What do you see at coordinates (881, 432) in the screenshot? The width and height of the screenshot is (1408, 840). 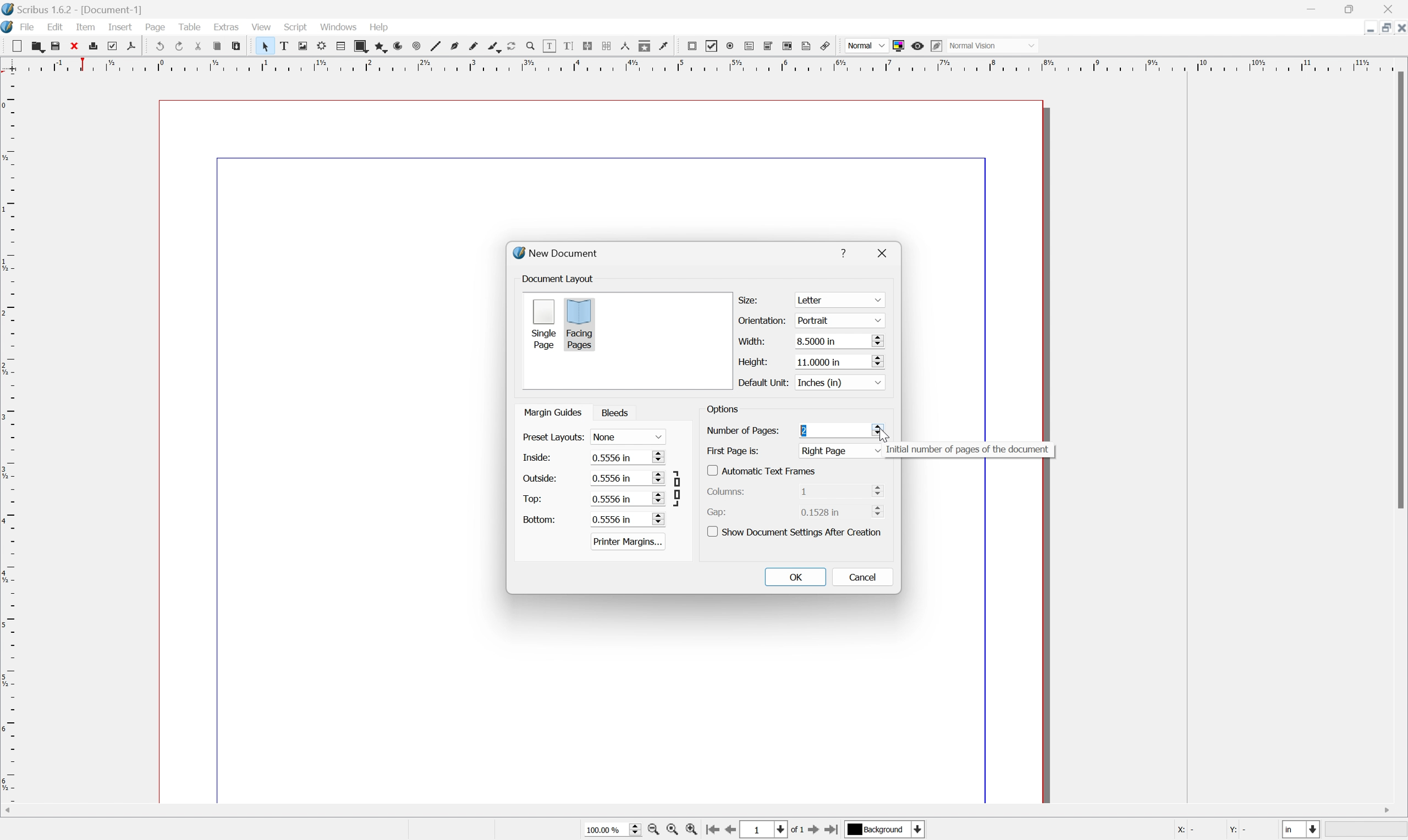 I see `cursor` at bounding box center [881, 432].